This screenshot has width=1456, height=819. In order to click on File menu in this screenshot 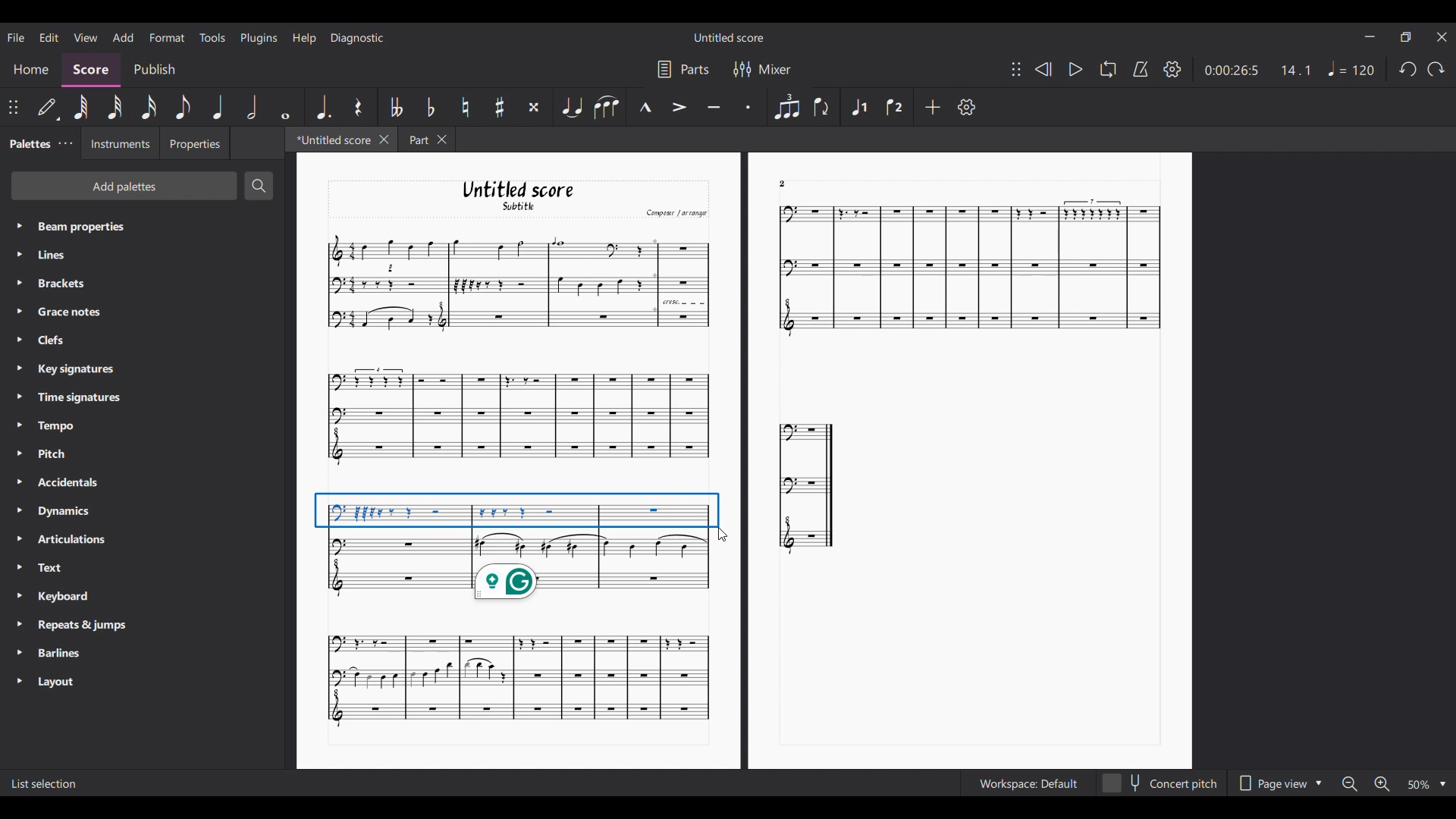, I will do `click(17, 37)`.